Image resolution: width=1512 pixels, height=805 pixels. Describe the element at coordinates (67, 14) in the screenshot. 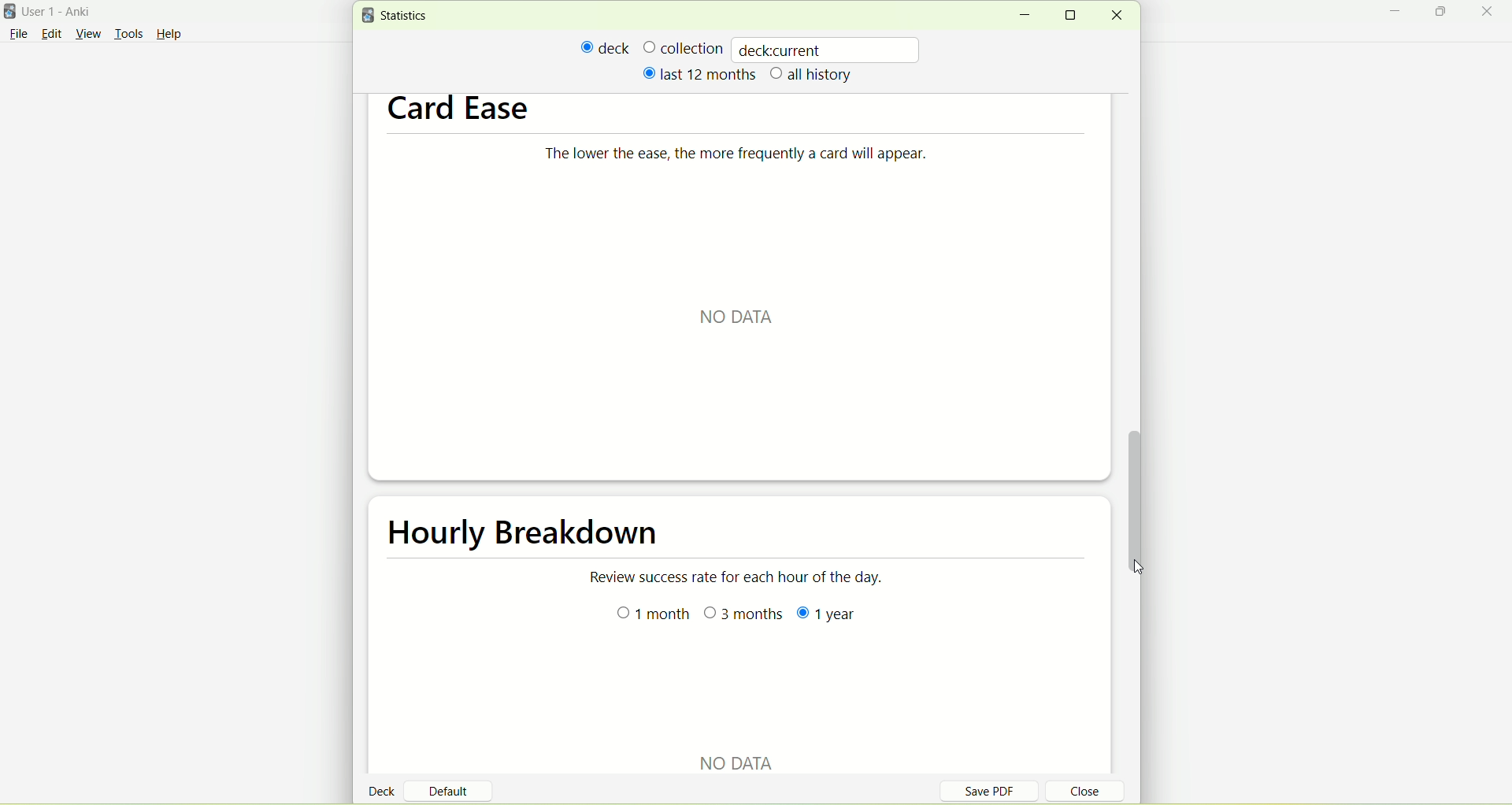

I see `User 1- Anki` at that location.